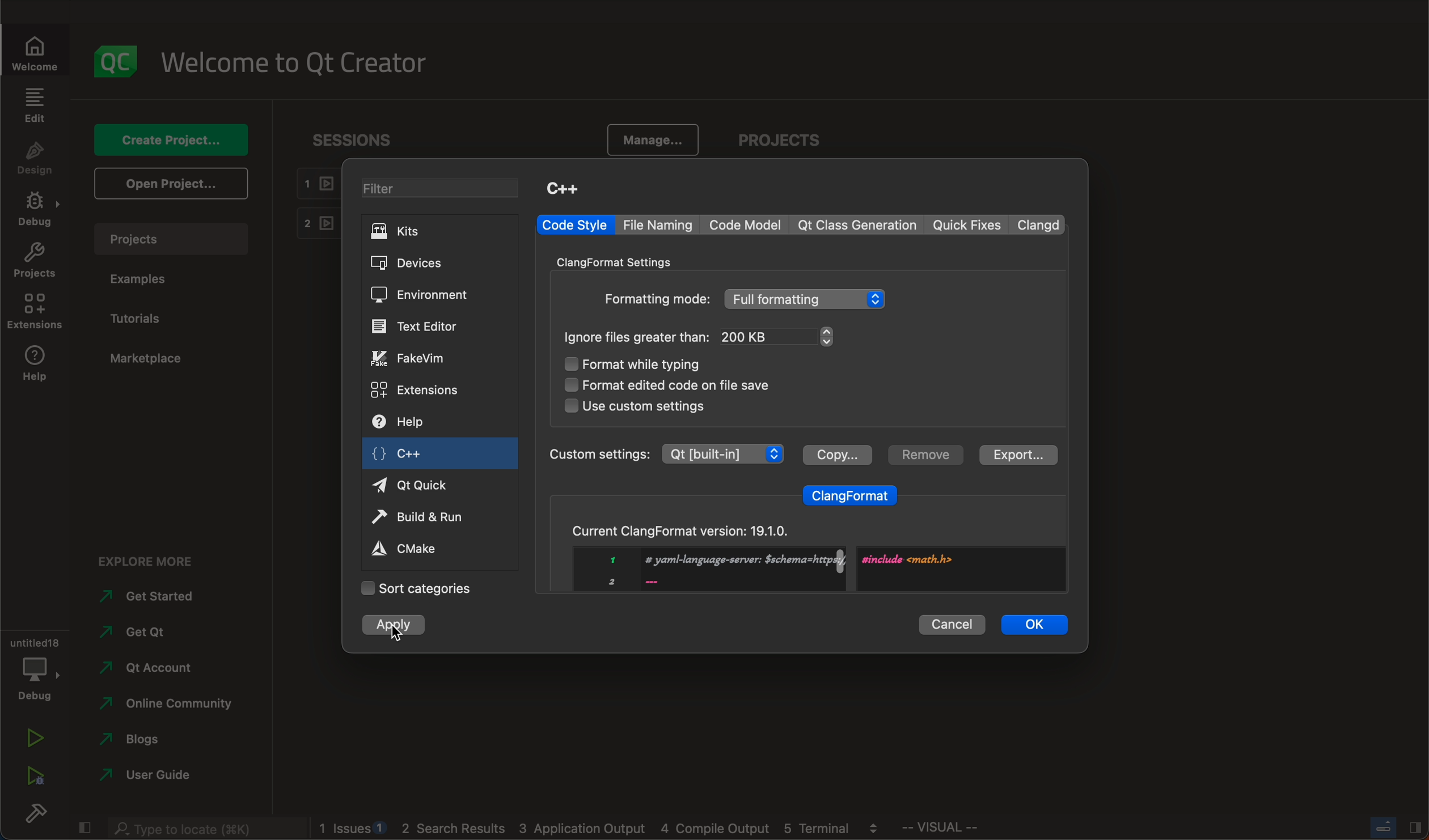 The width and height of the screenshot is (1429, 840). What do you see at coordinates (423, 519) in the screenshot?
I see `build and run` at bounding box center [423, 519].